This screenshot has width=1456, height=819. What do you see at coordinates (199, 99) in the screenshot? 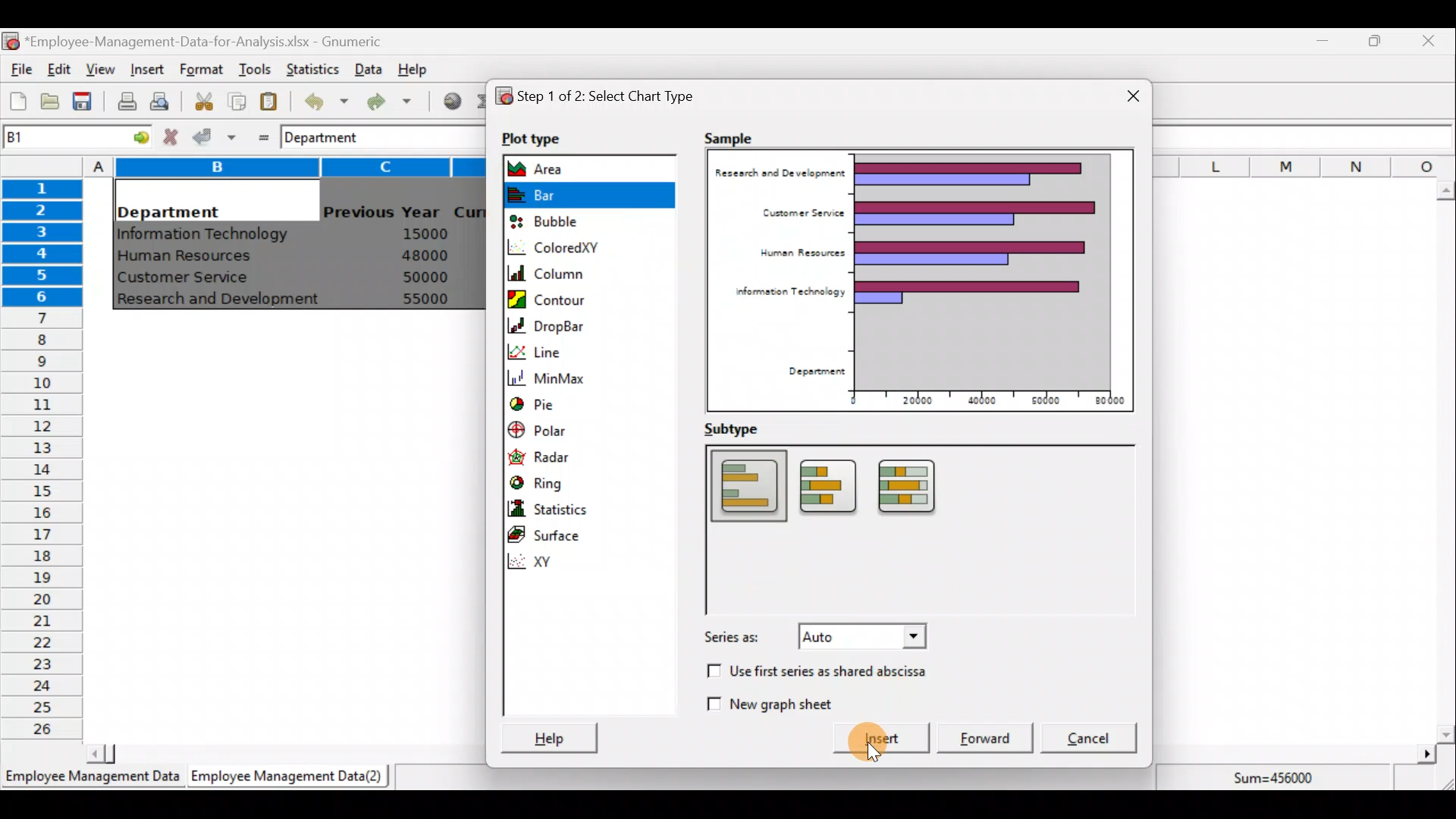
I see `Cut the selection` at bounding box center [199, 99].